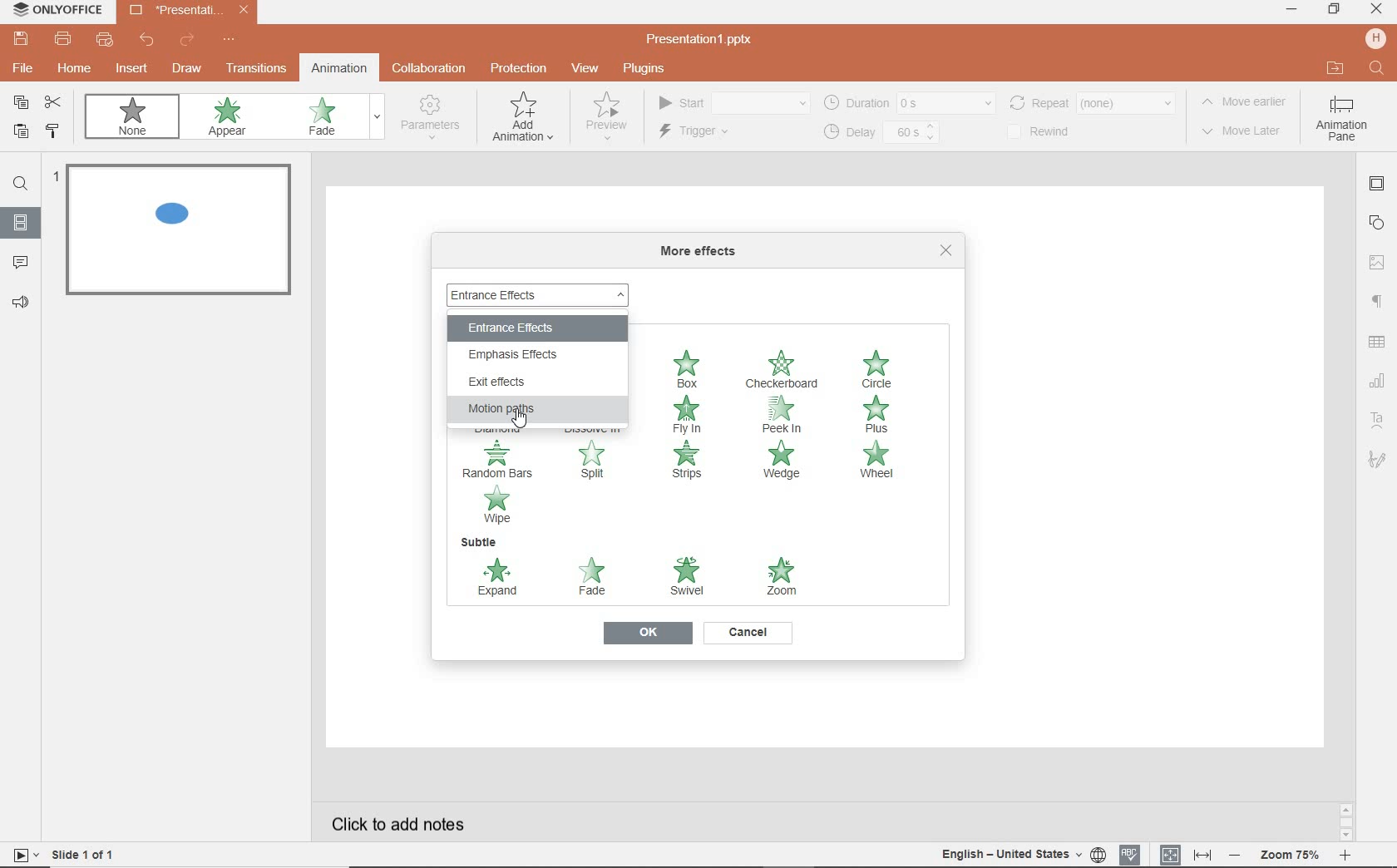 The image size is (1397, 868). I want to click on file name, so click(190, 12).